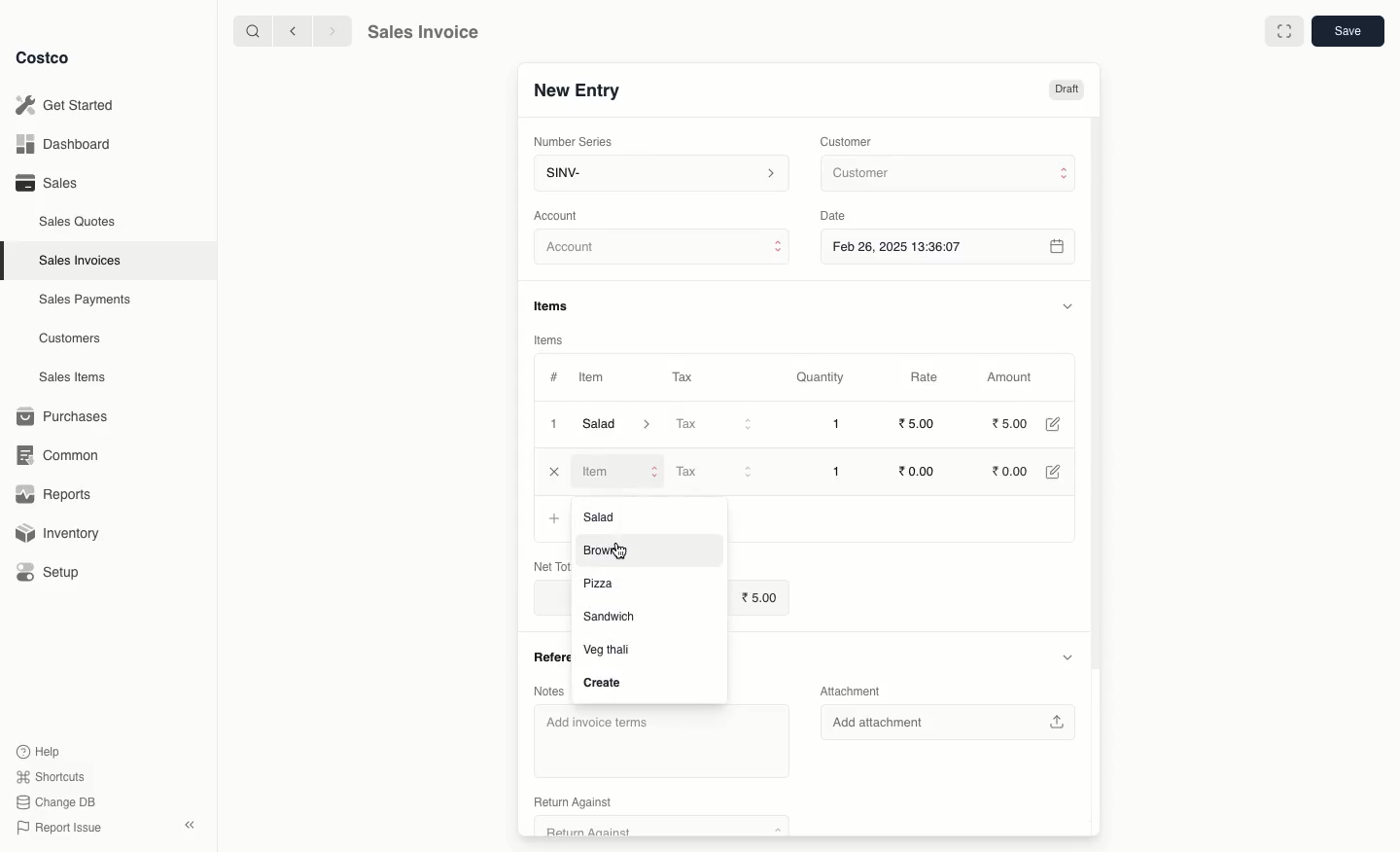  What do you see at coordinates (819, 378) in the screenshot?
I see `Quantity` at bounding box center [819, 378].